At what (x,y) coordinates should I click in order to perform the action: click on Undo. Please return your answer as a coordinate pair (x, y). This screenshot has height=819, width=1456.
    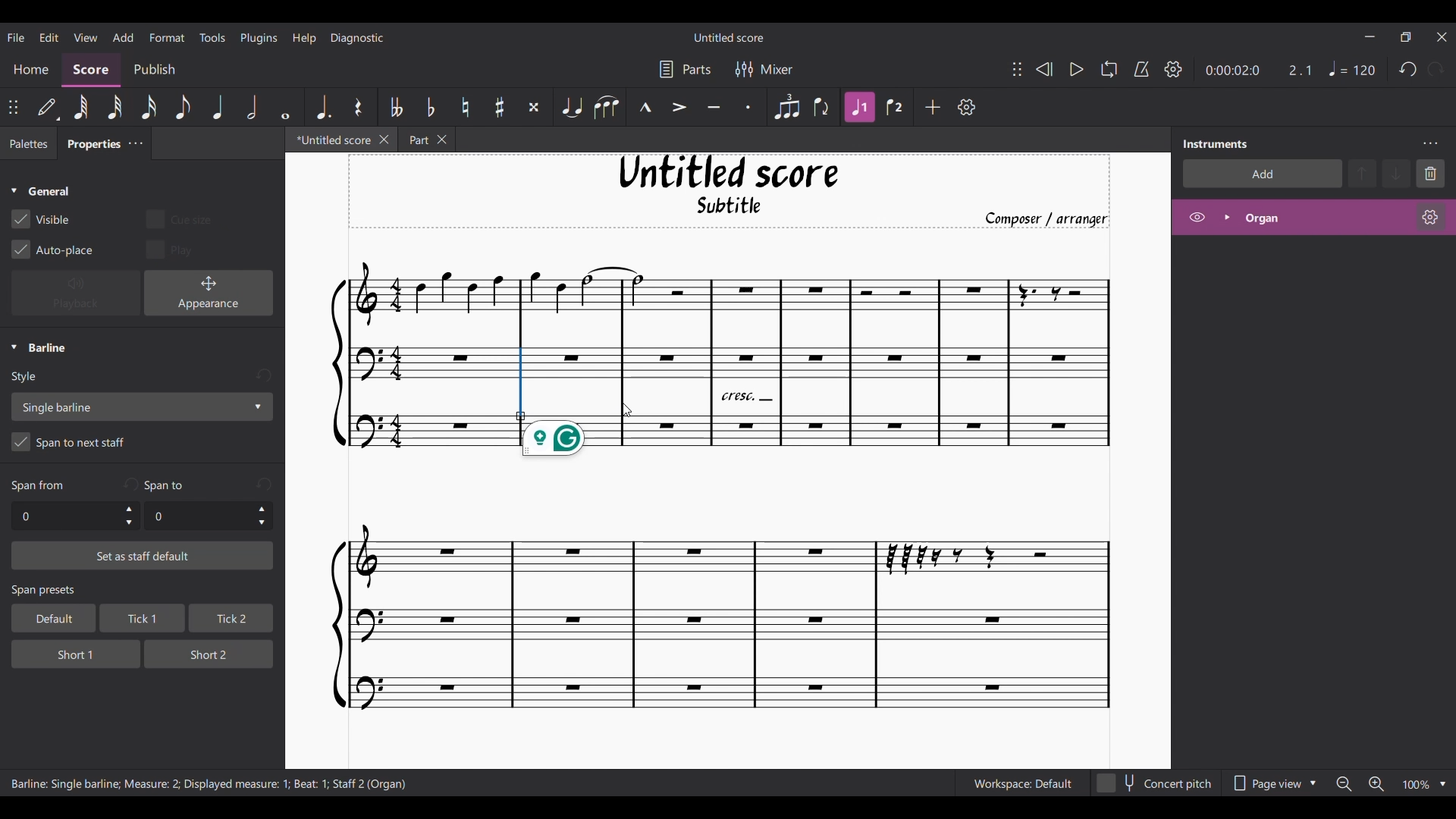
    Looking at the image, I should click on (1408, 70).